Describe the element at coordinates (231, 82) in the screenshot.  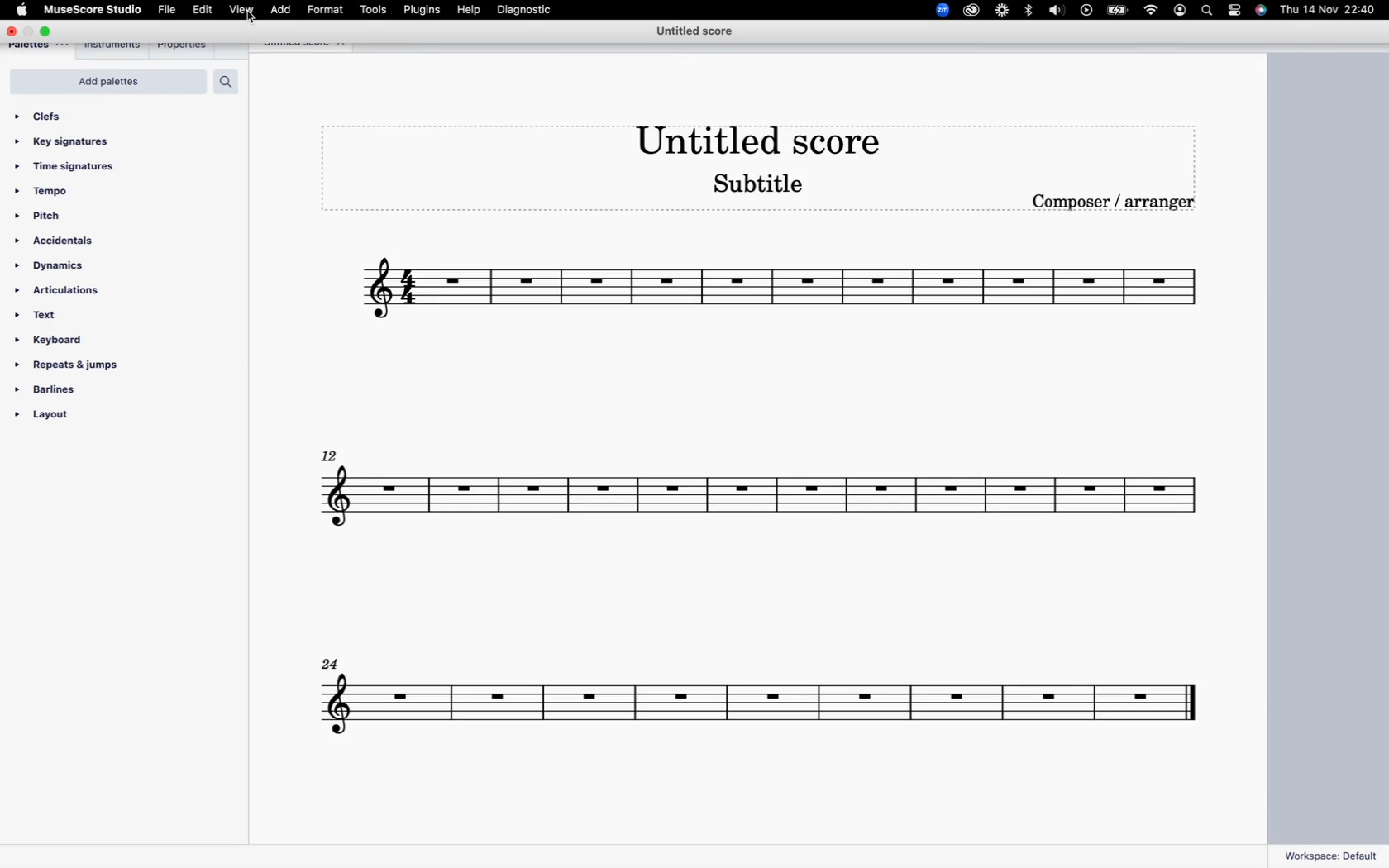
I see `search` at that location.